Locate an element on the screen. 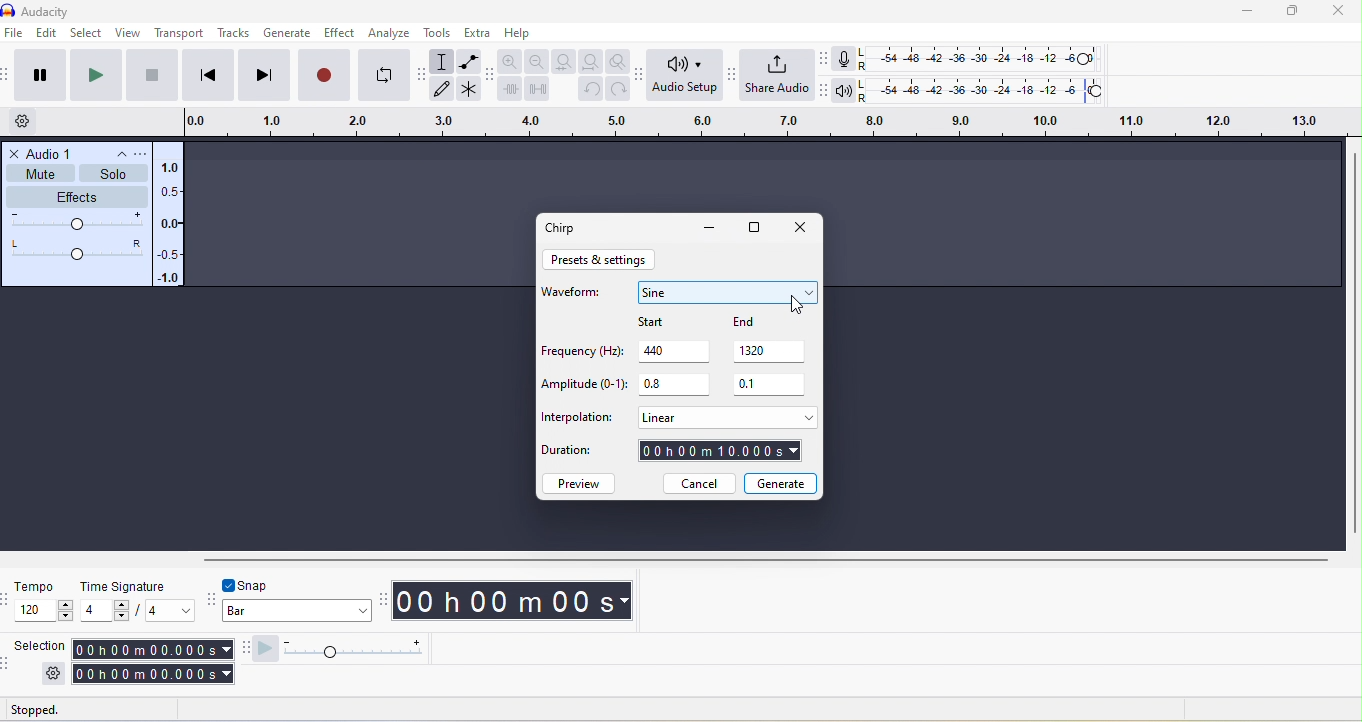 The height and width of the screenshot is (722, 1362). duration: is located at coordinates (578, 454).